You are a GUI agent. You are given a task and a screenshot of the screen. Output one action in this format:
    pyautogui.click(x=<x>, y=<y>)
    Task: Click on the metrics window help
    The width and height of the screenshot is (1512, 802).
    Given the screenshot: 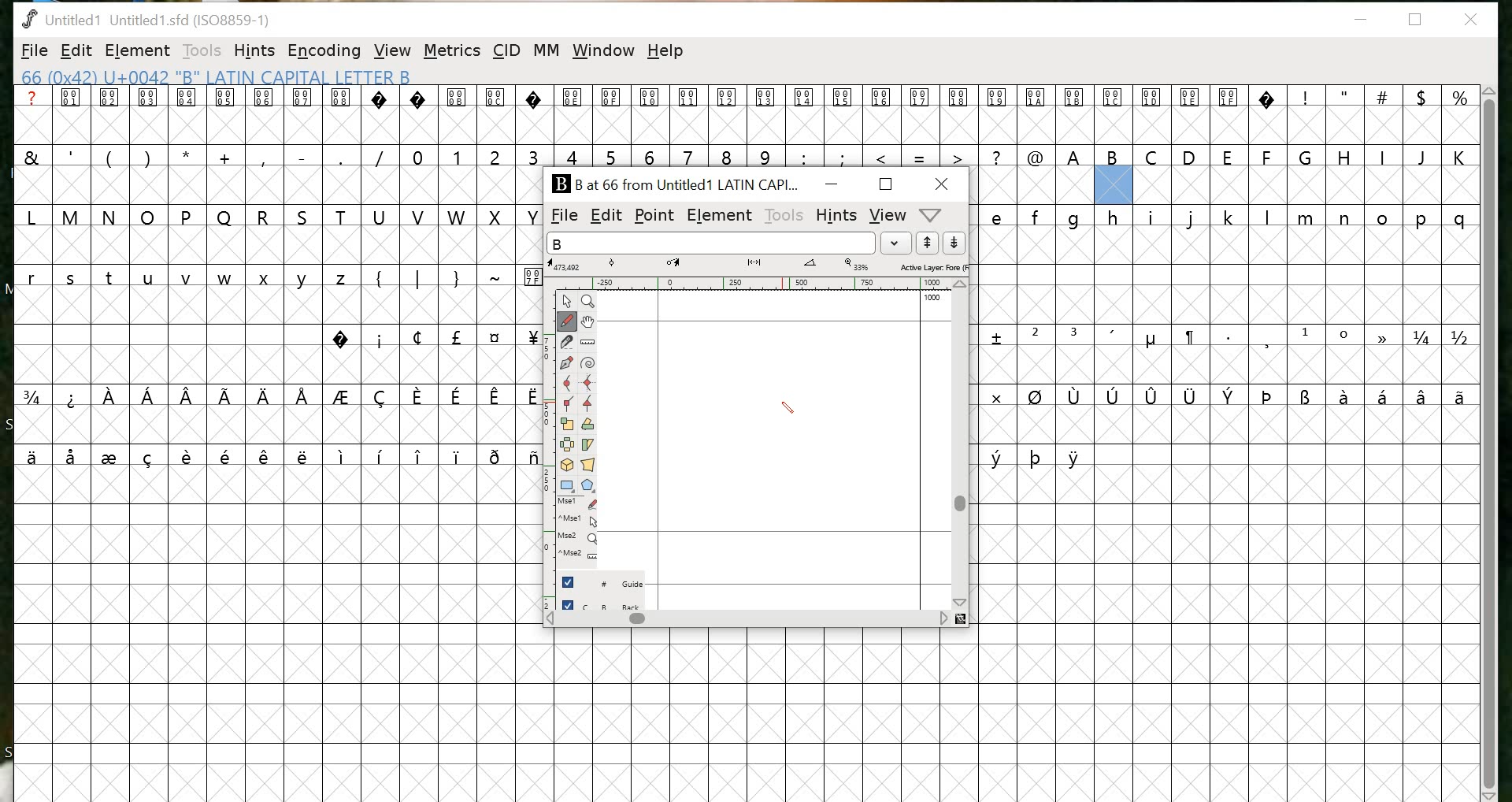 What is the action you would take?
    pyautogui.click(x=932, y=215)
    